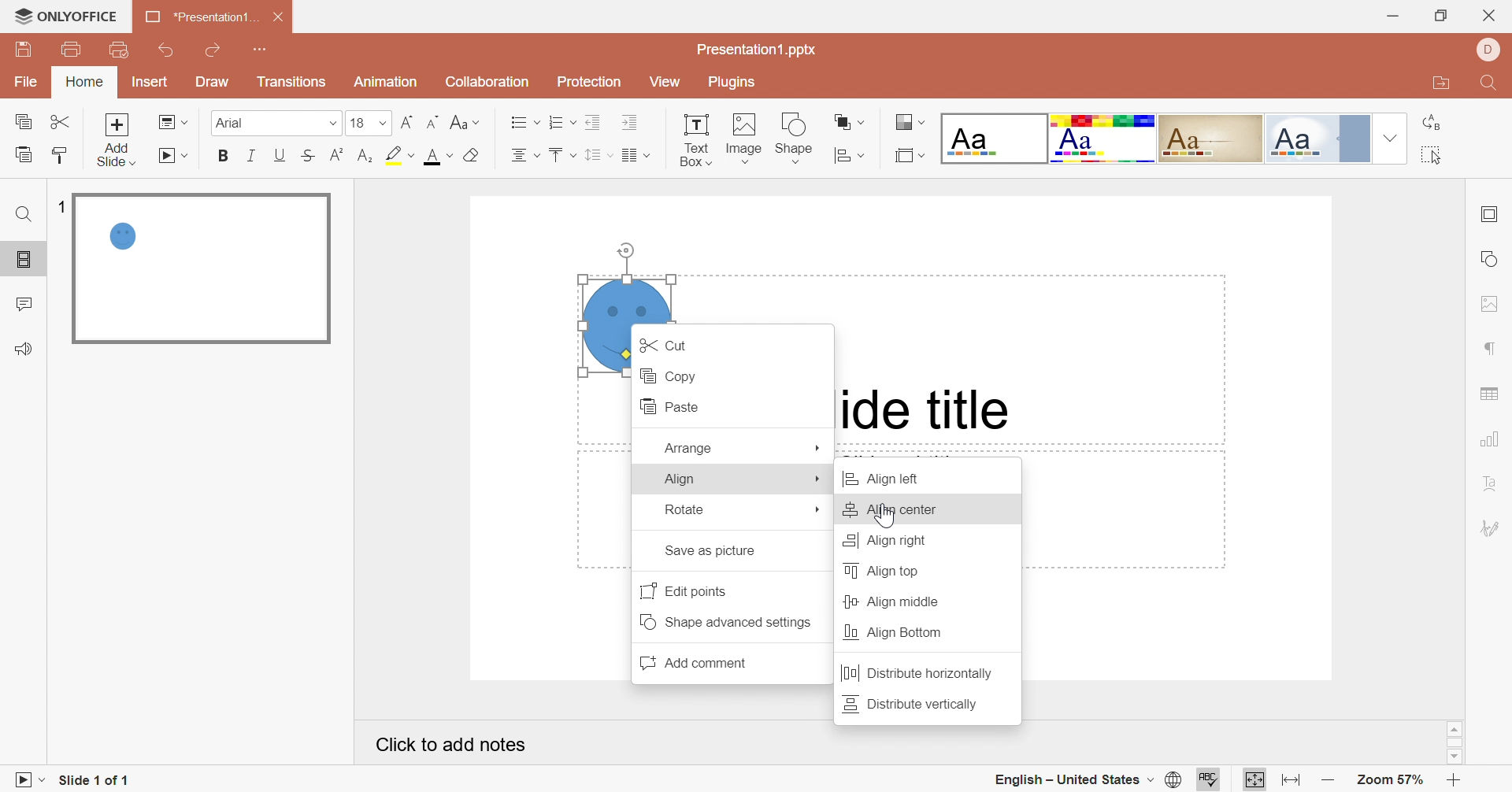 This screenshot has width=1512, height=792. I want to click on More, so click(819, 512).